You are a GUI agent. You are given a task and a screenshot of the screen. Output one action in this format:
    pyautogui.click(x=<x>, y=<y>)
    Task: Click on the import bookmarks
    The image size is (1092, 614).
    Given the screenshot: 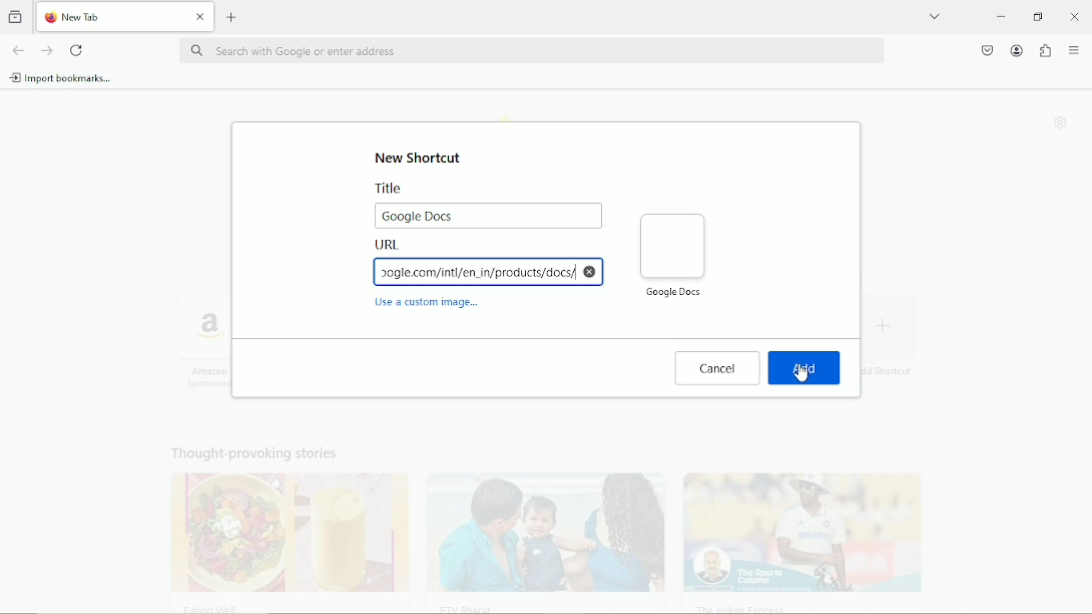 What is the action you would take?
    pyautogui.click(x=61, y=77)
    